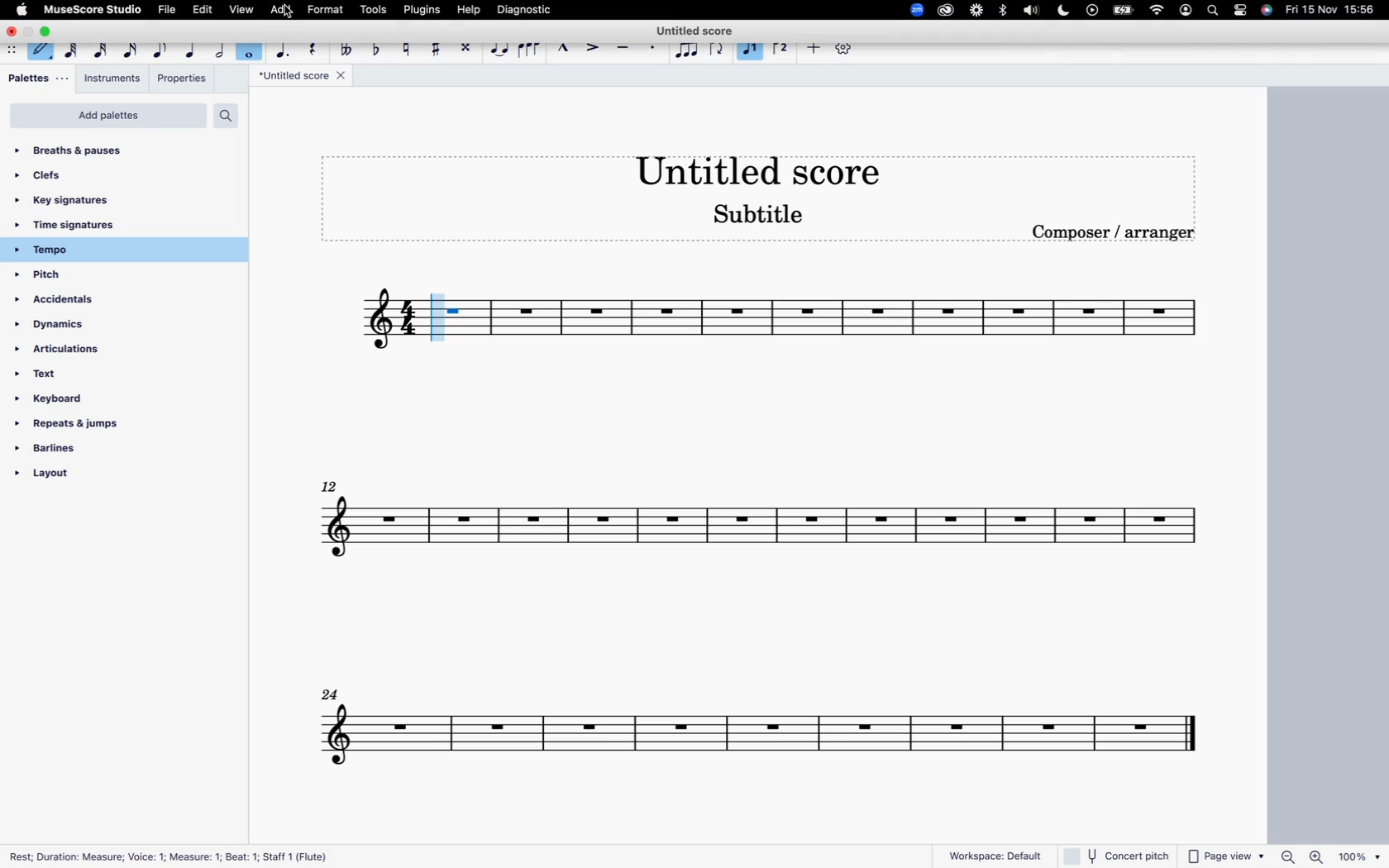  What do you see at coordinates (974, 12) in the screenshot?
I see `loom` at bounding box center [974, 12].